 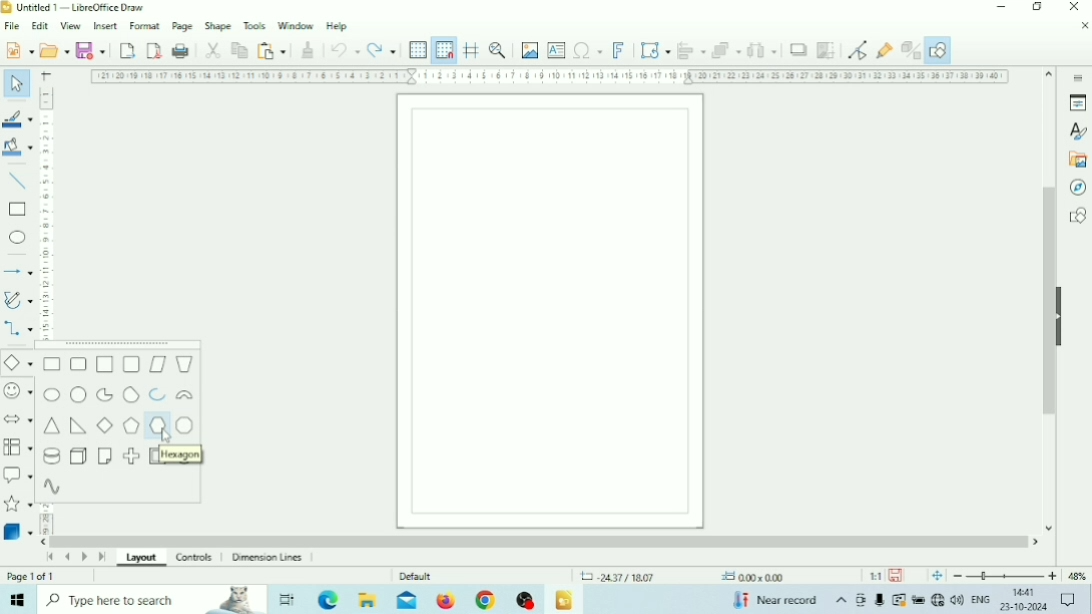 What do you see at coordinates (127, 50) in the screenshot?
I see `Export` at bounding box center [127, 50].